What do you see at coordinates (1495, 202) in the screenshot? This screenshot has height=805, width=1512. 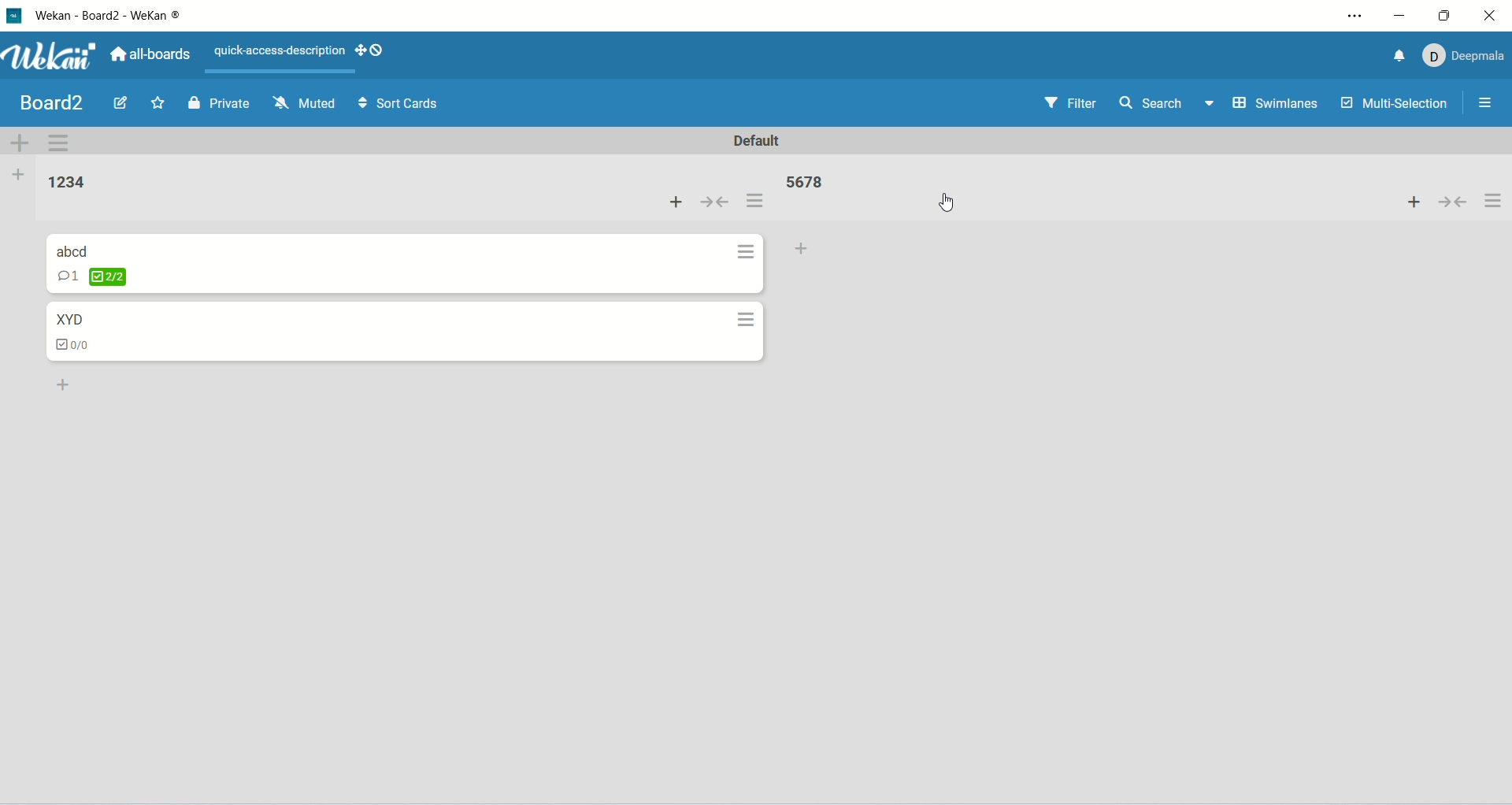 I see `options` at bounding box center [1495, 202].